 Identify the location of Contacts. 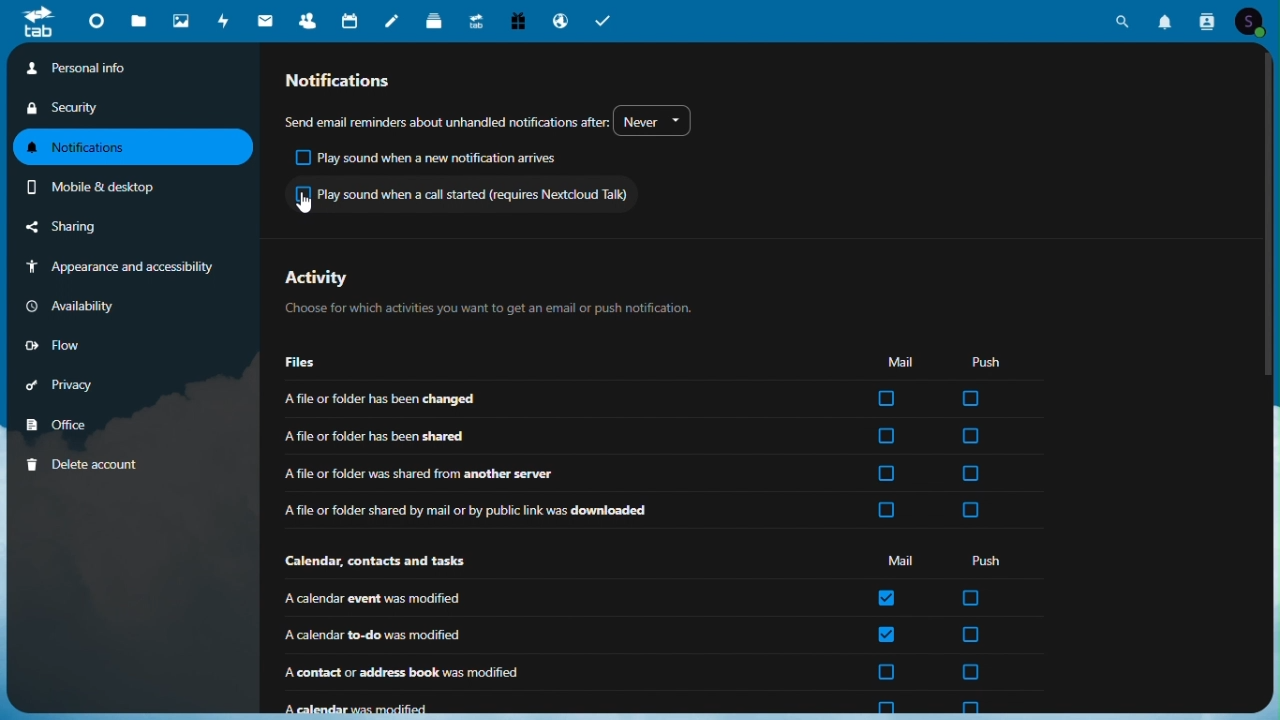
(309, 18).